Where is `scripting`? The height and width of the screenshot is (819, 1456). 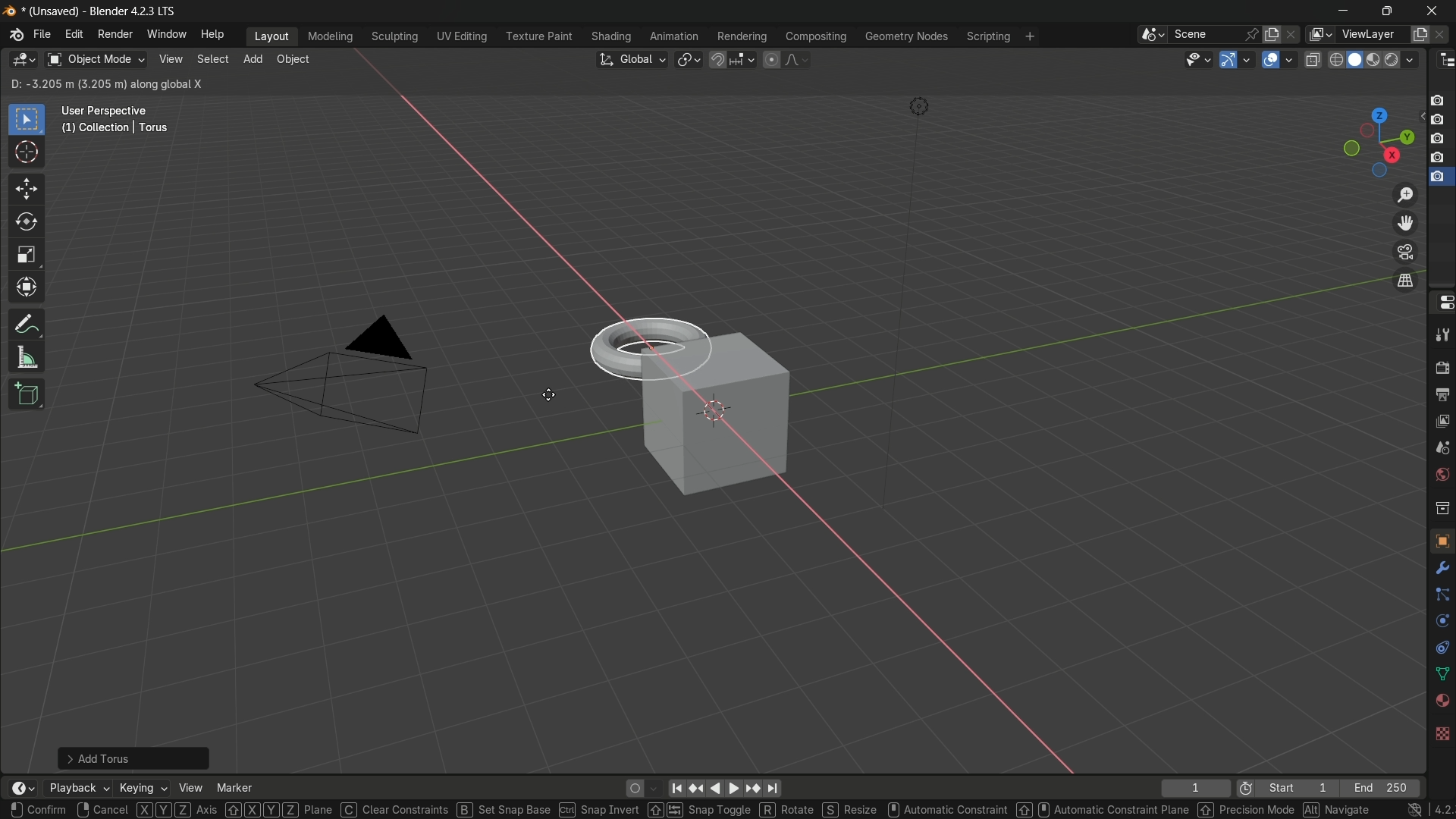
scripting is located at coordinates (988, 37).